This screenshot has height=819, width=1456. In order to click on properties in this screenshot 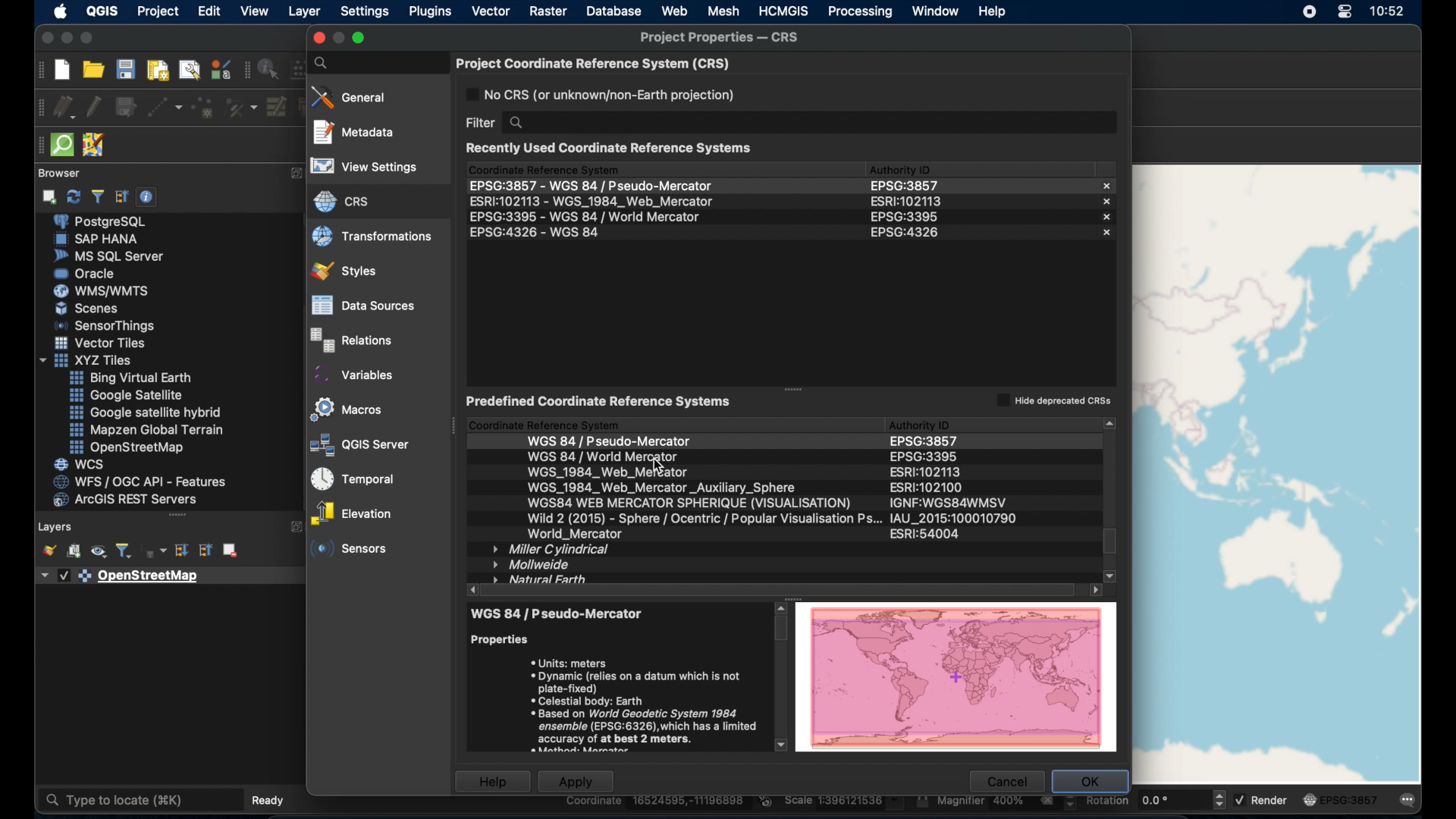, I will do `click(506, 639)`.